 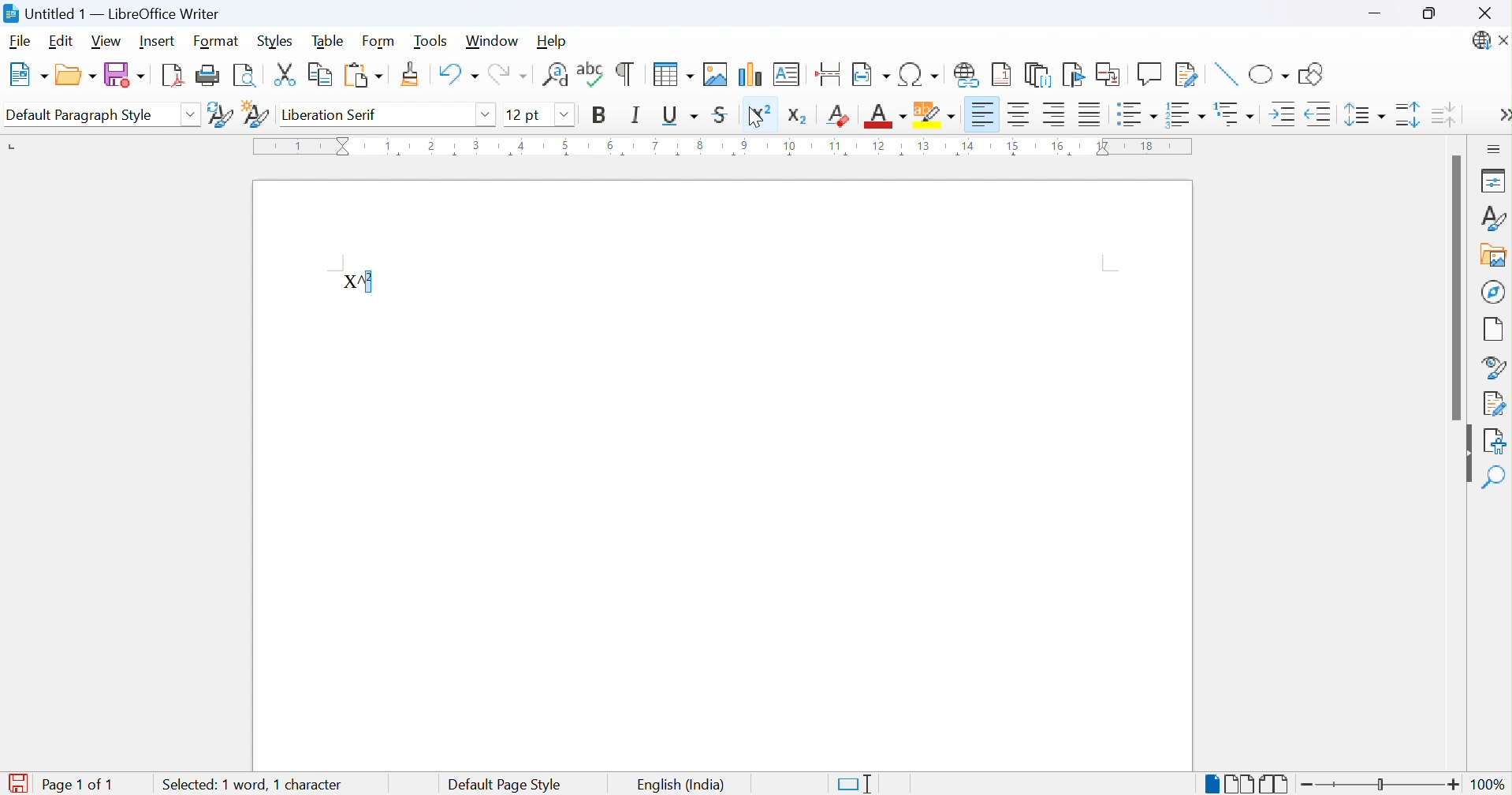 What do you see at coordinates (1484, 13) in the screenshot?
I see `Close` at bounding box center [1484, 13].